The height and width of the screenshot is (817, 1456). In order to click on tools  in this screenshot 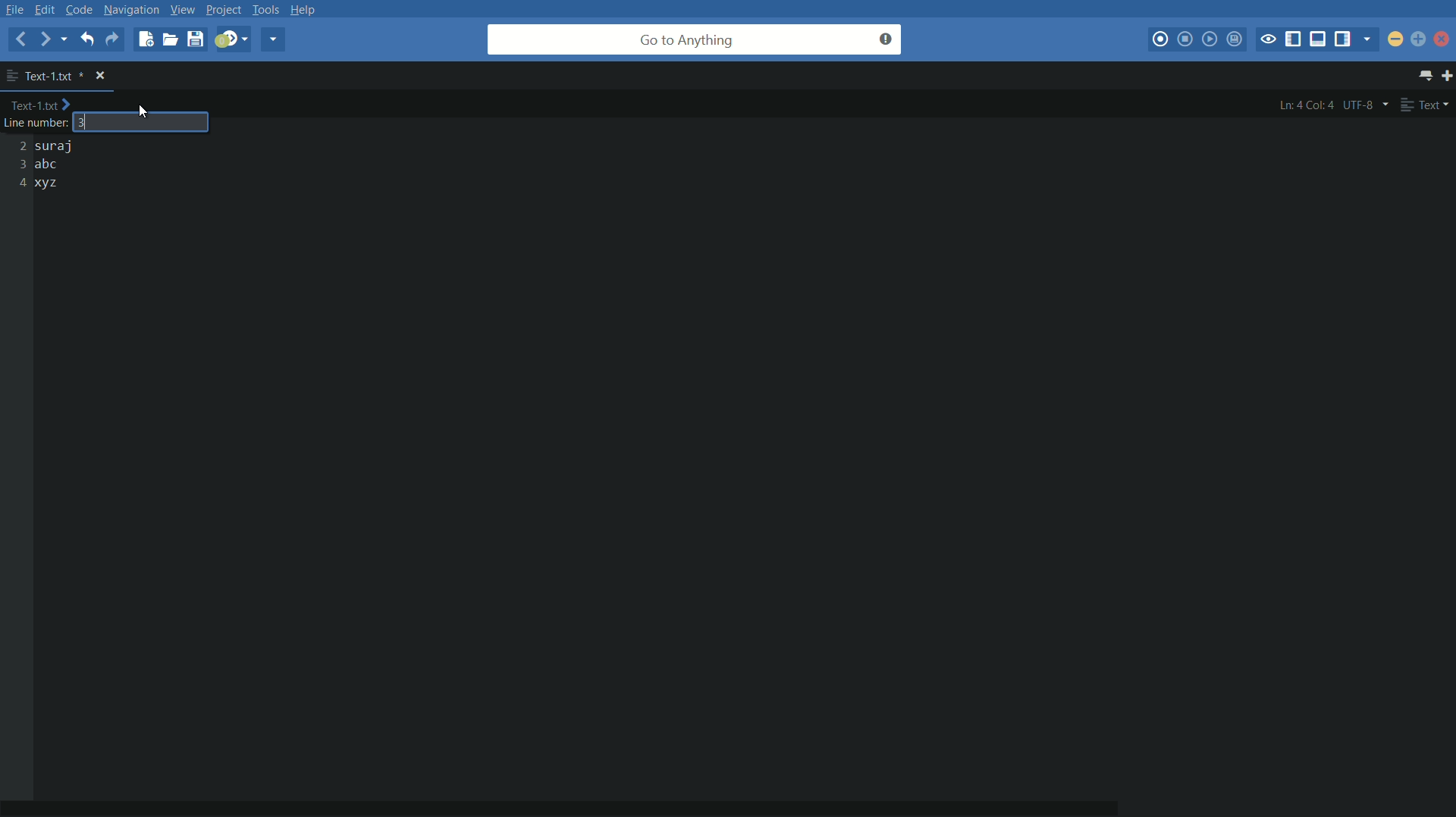, I will do `click(267, 9)`.